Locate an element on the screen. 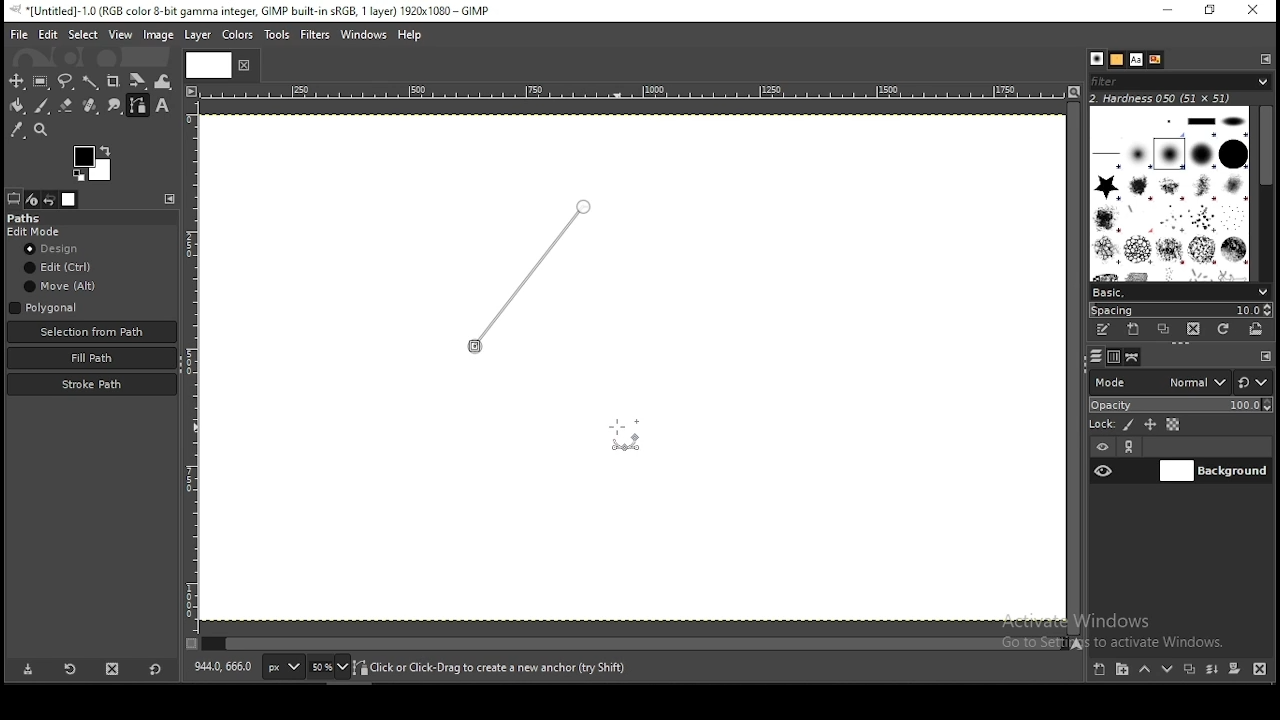  selection from path is located at coordinates (90, 332).